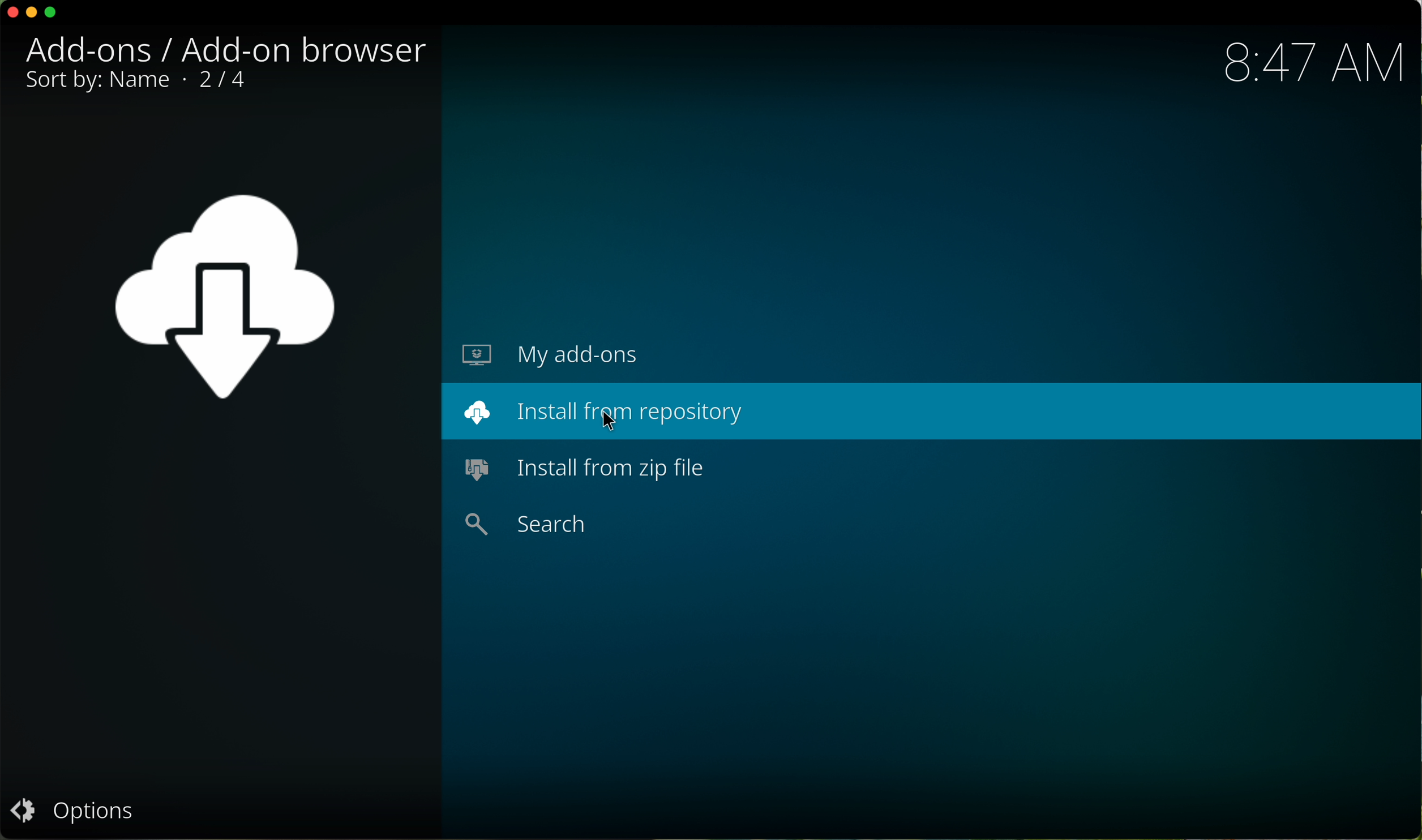 The height and width of the screenshot is (840, 1422). Describe the element at coordinates (1312, 62) in the screenshot. I see `hour` at that location.